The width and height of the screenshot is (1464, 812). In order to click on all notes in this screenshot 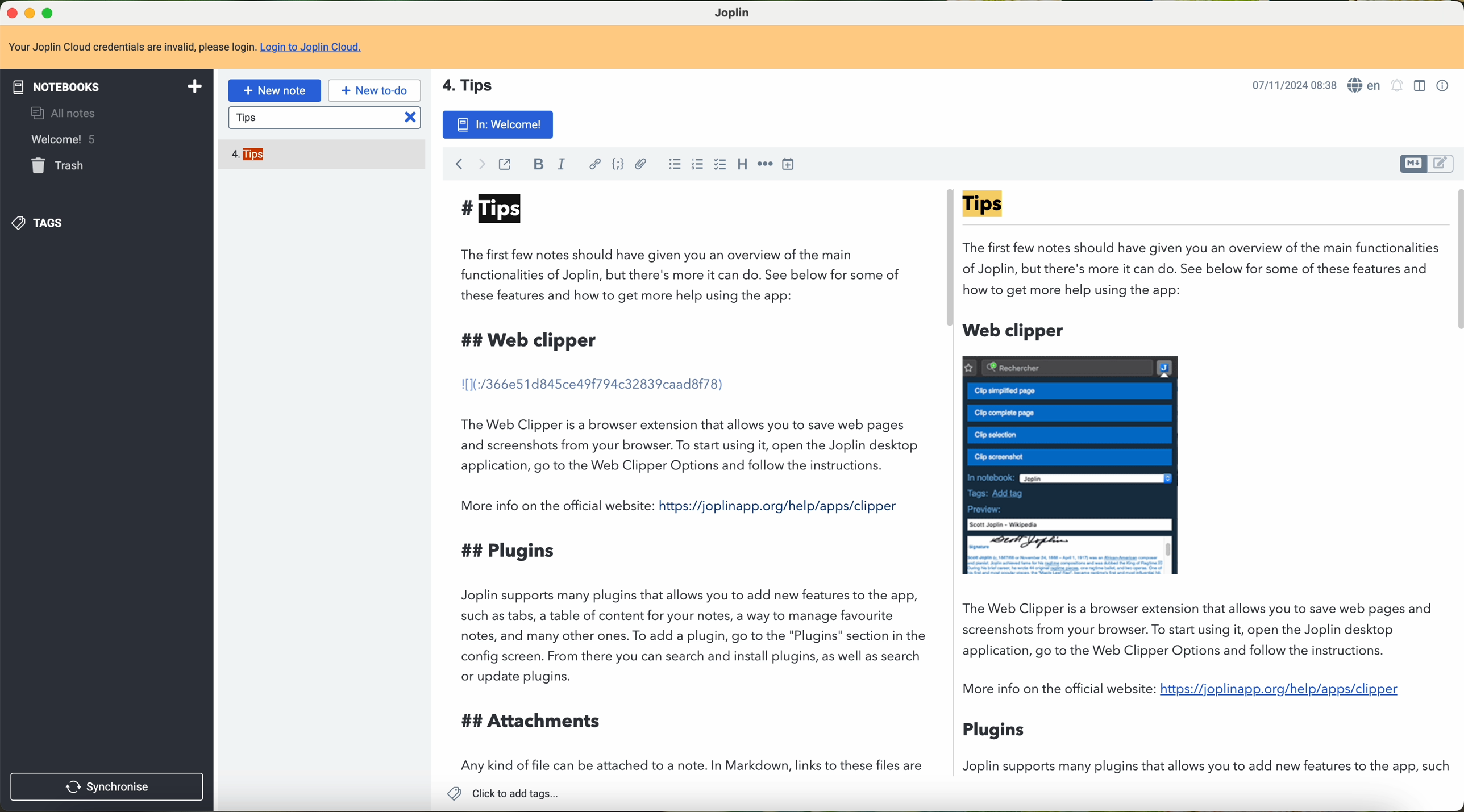, I will do `click(66, 112)`.